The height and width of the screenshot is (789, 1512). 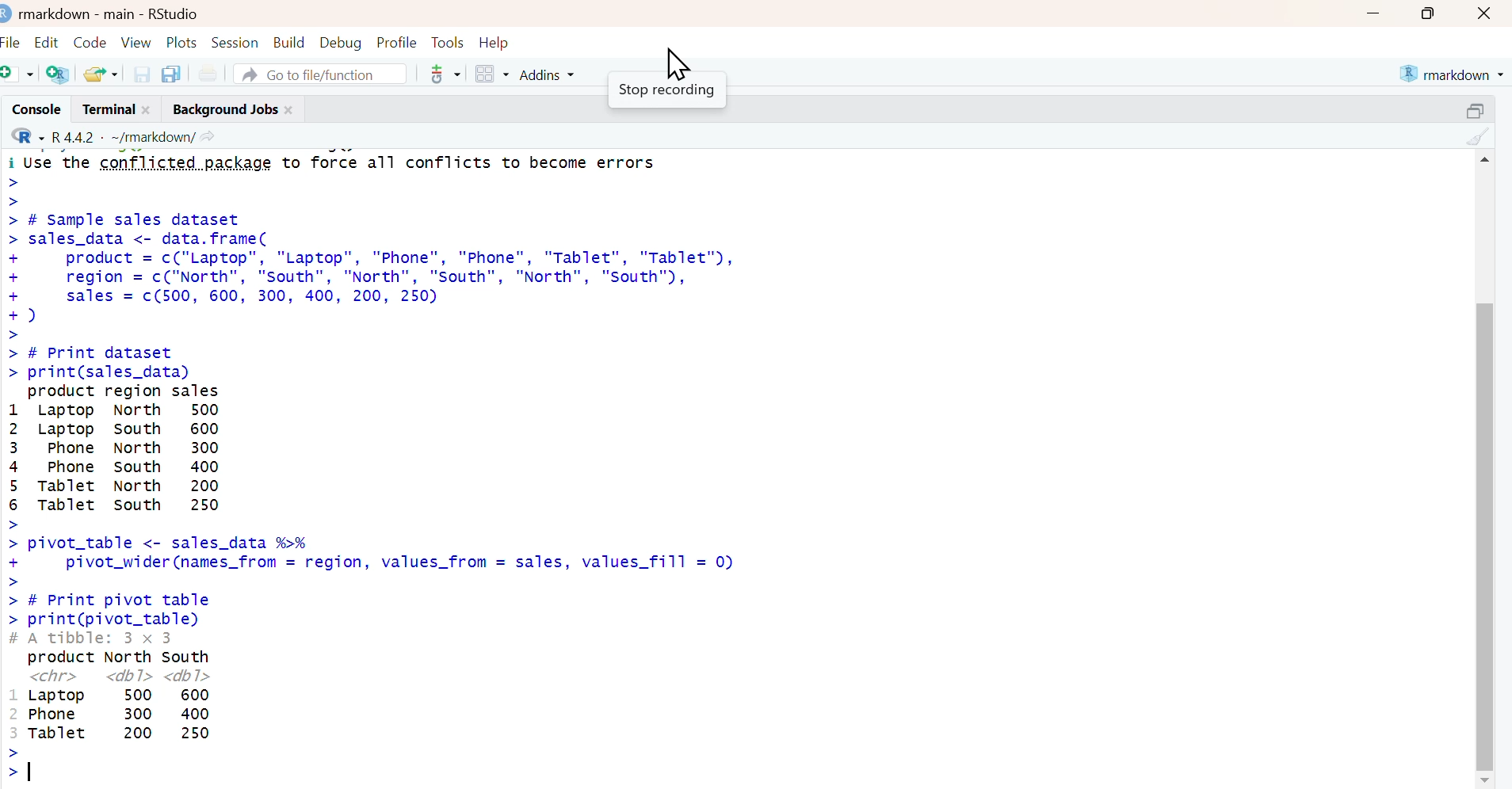 What do you see at coordinates (1434, 13) in the screenshot?
I see `maximize` at bounding box center [1434, 13].